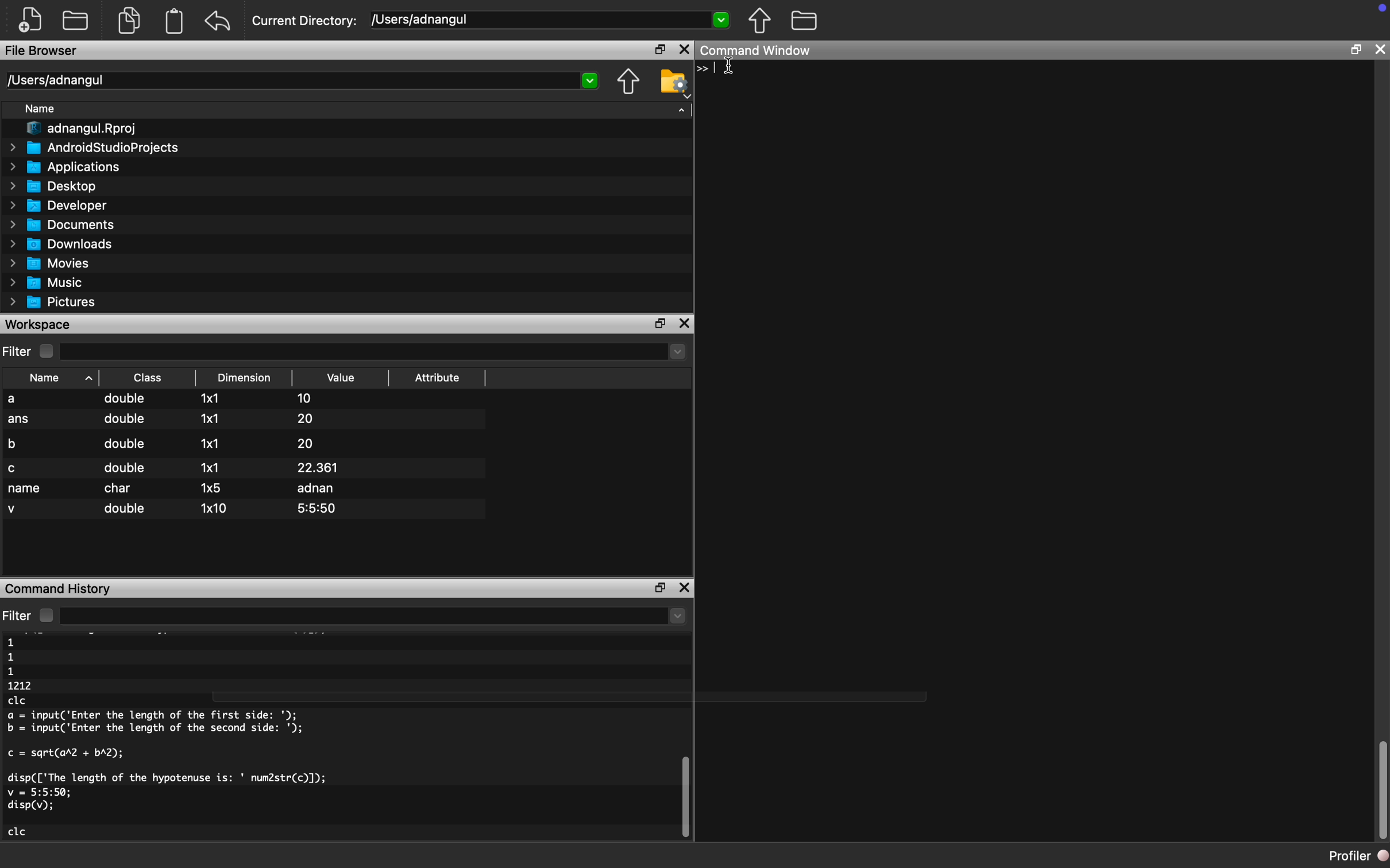 Image resolution: width=1390 pixels, height=868 pixels. What do you see at coordinates (31, 615) in the screenshot?
I see `Filter` at bounding box center [31, 615].